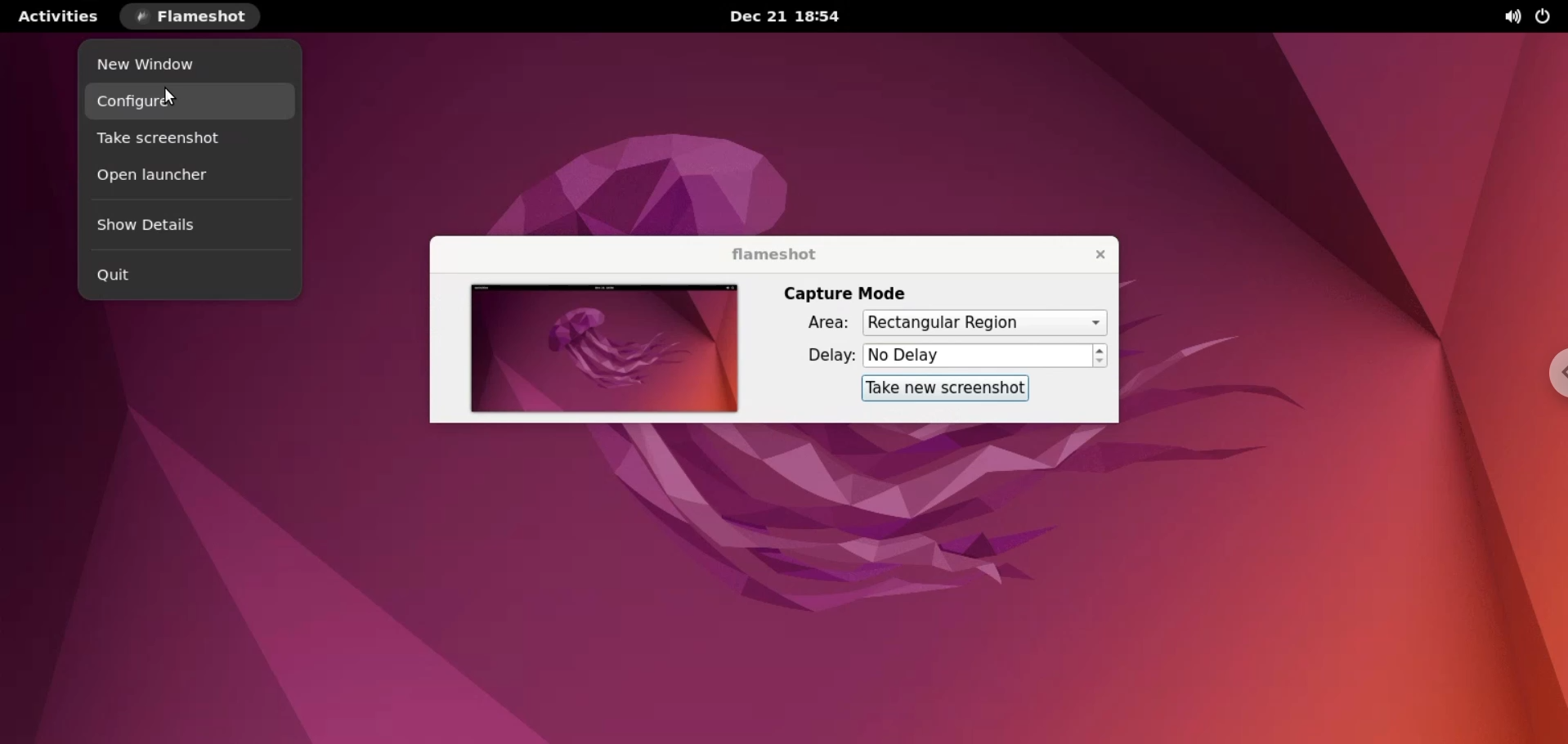 Image resolution: width=1568 pixels, height=744 pixels. Describe the element at coordinates (984, 324) in the screenshot. I see `area options` at that location.